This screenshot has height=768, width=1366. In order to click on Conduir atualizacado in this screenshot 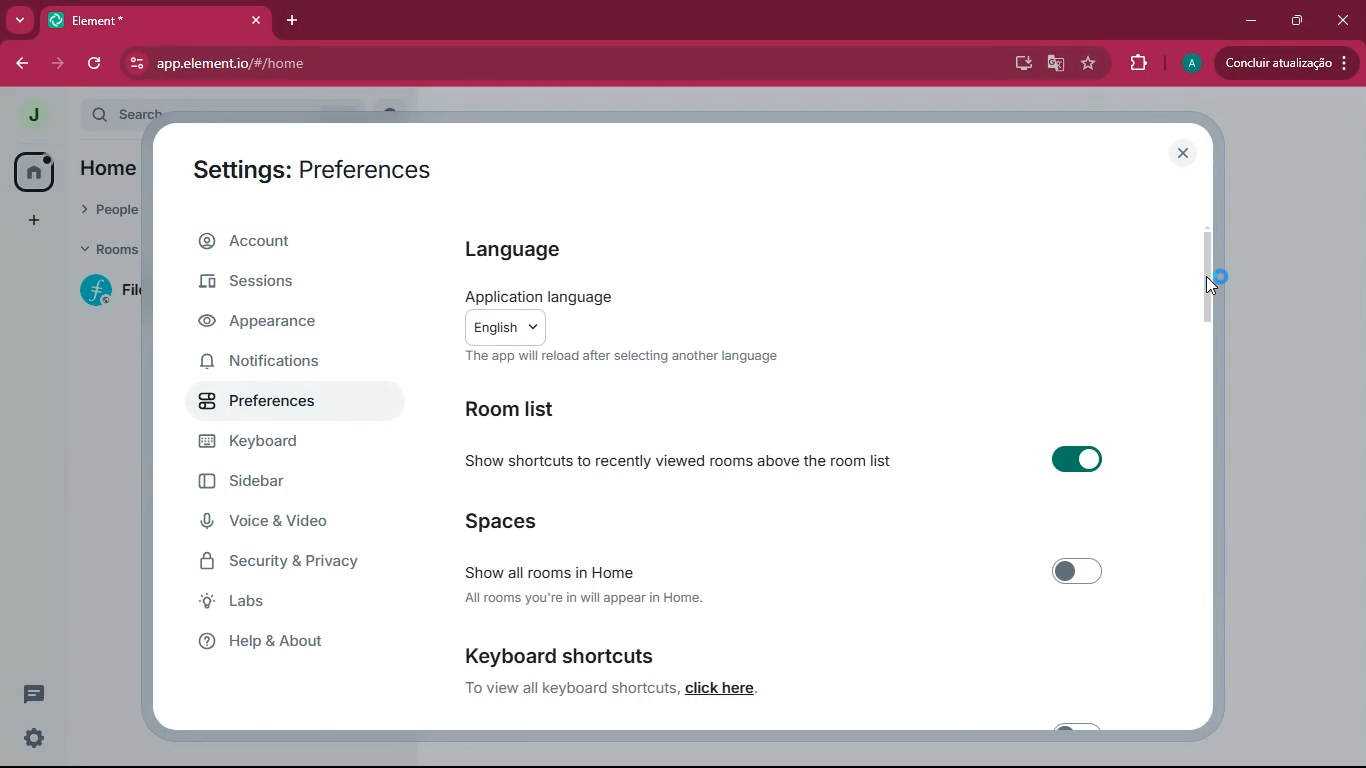, I will do `click(1284, 63)`.